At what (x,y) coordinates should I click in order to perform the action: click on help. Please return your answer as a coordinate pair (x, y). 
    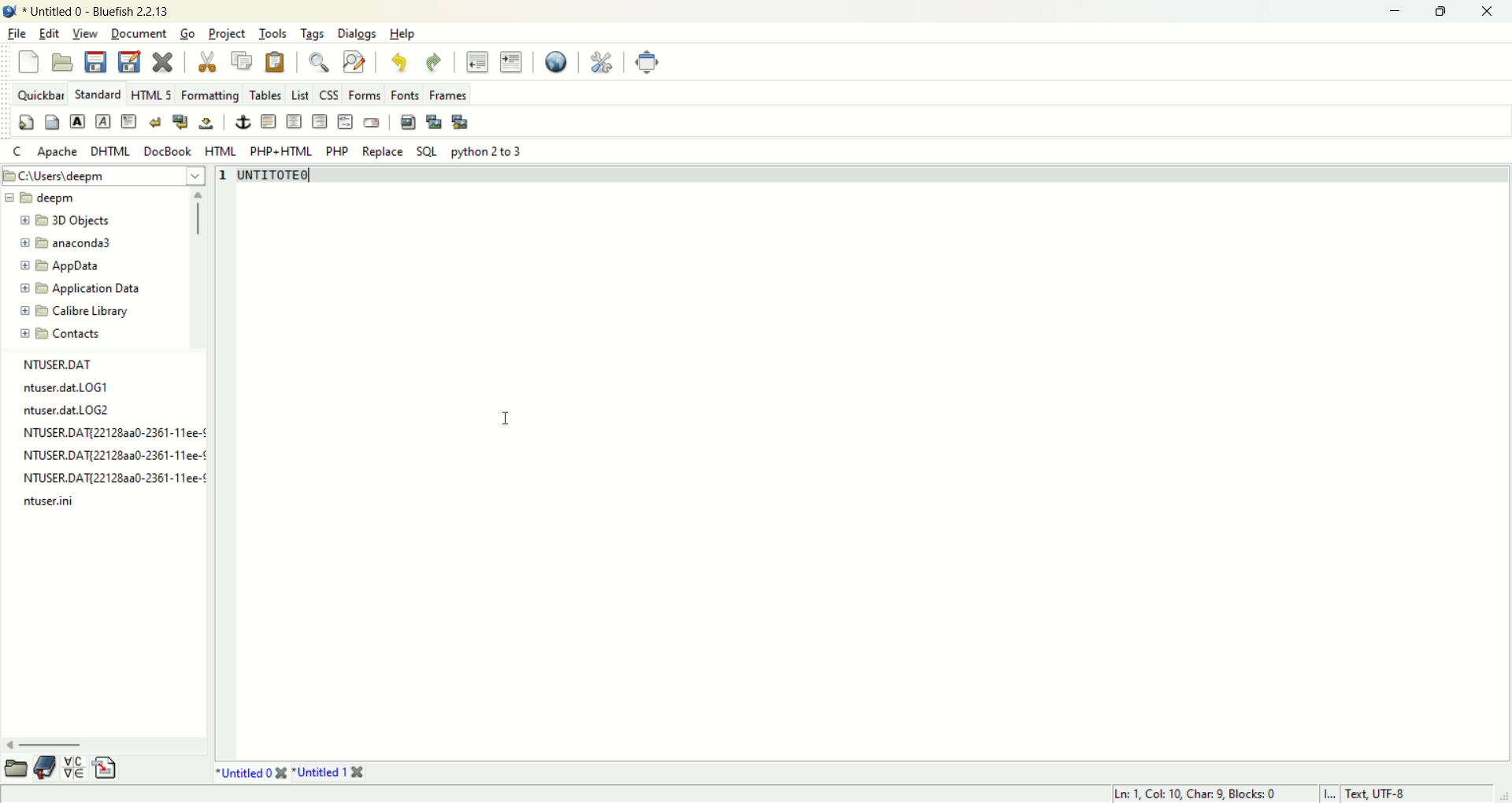
    Looking at the image, I should click on (404, 33).